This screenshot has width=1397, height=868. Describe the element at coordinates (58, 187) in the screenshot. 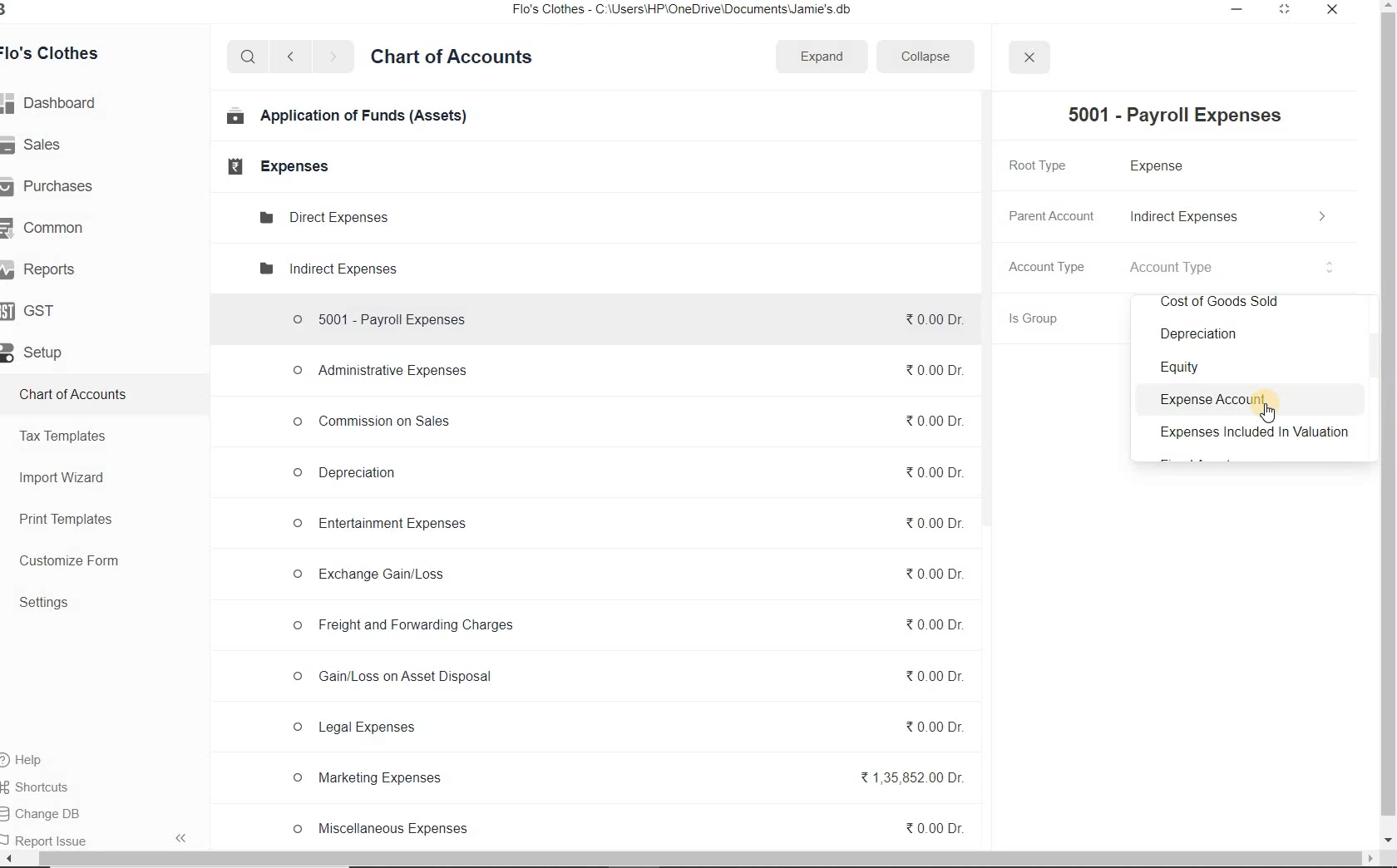

I see `Purchases` at that location.